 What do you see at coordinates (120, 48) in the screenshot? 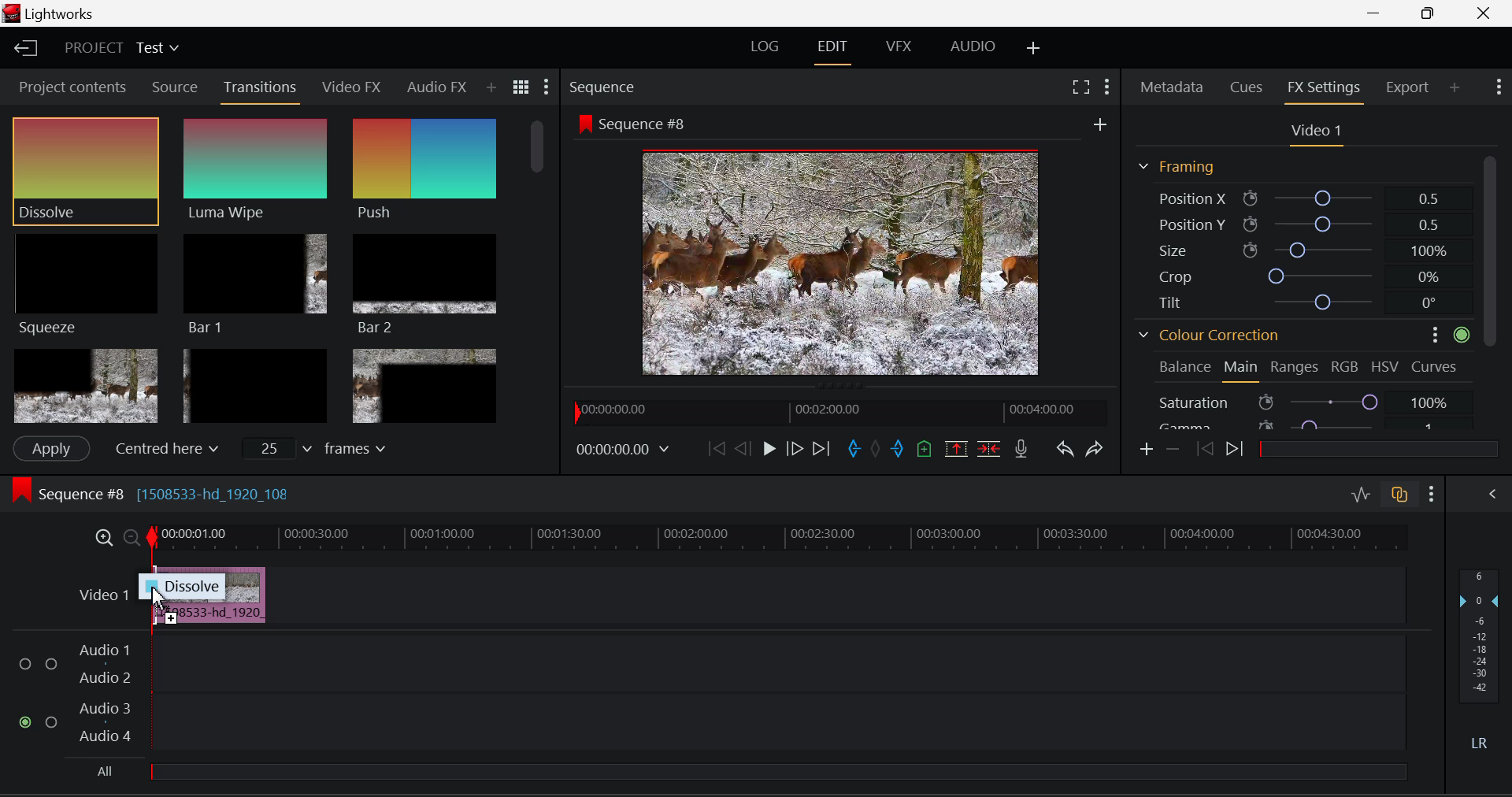
I see `Project Title` at bounding box center [120, 48].